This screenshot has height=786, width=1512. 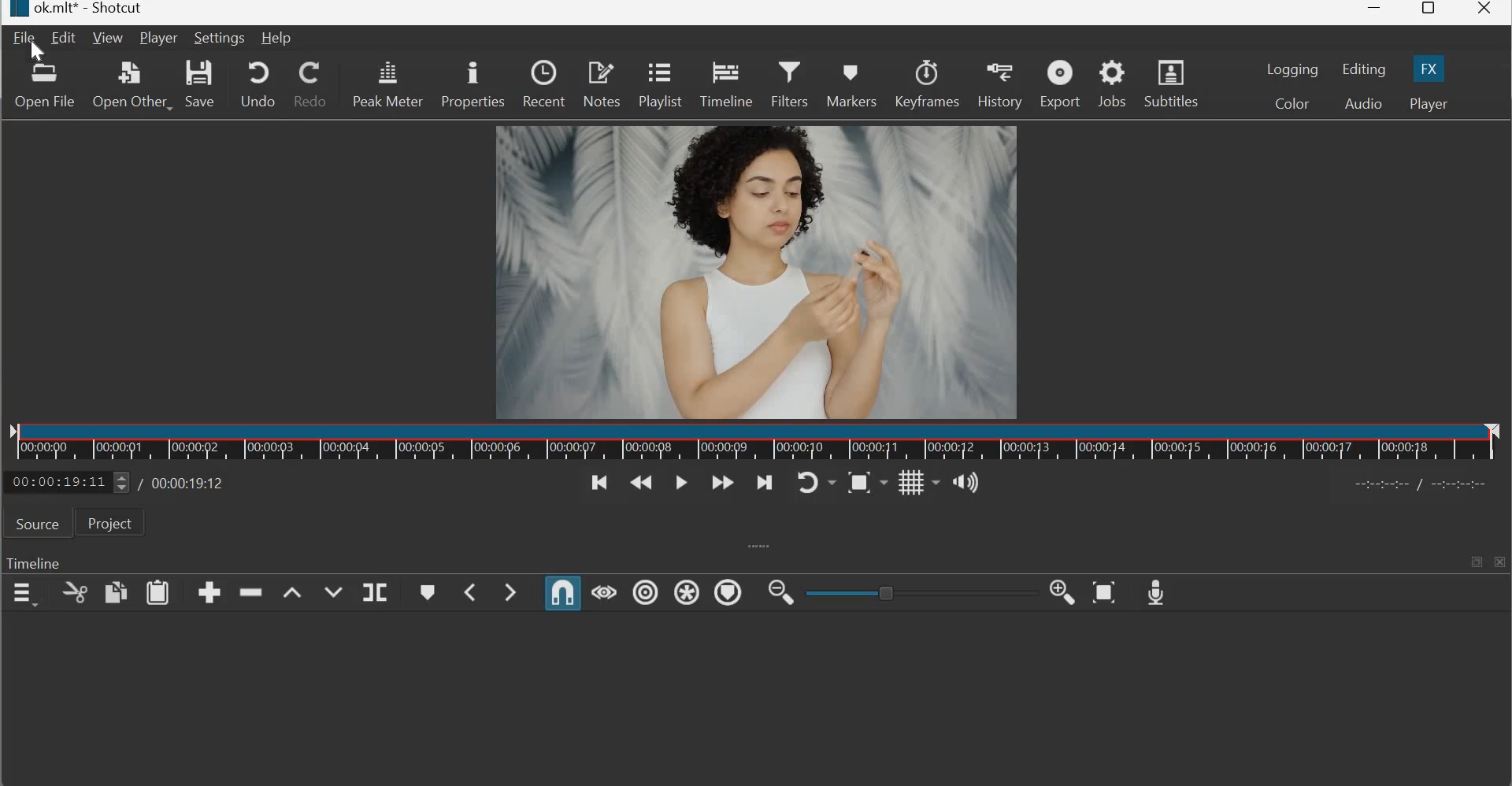 I want to click on Next Marker, so click(x=510, y=591).